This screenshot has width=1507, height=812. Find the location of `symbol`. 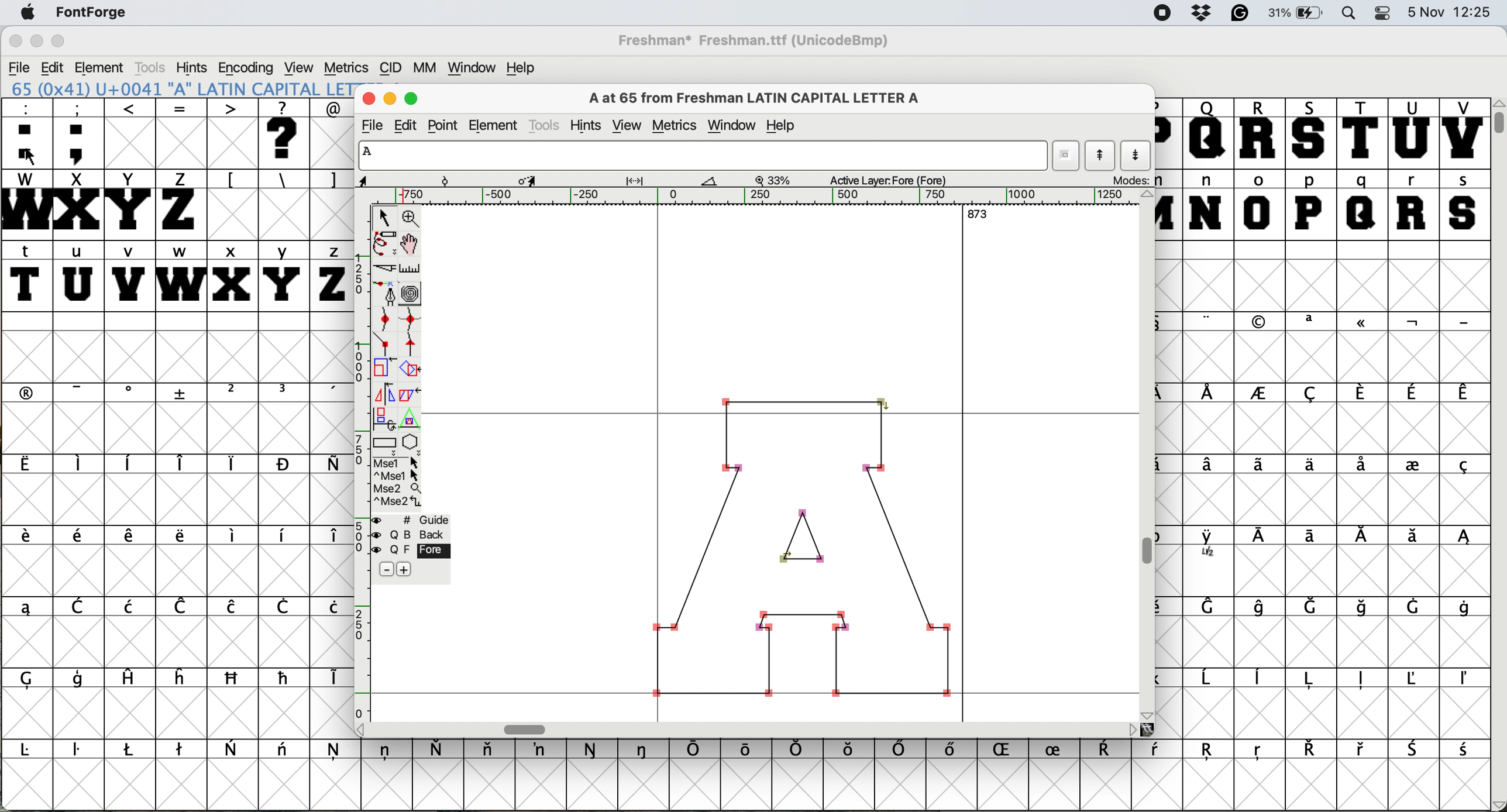

symbol is located at coordinates (130, 463).